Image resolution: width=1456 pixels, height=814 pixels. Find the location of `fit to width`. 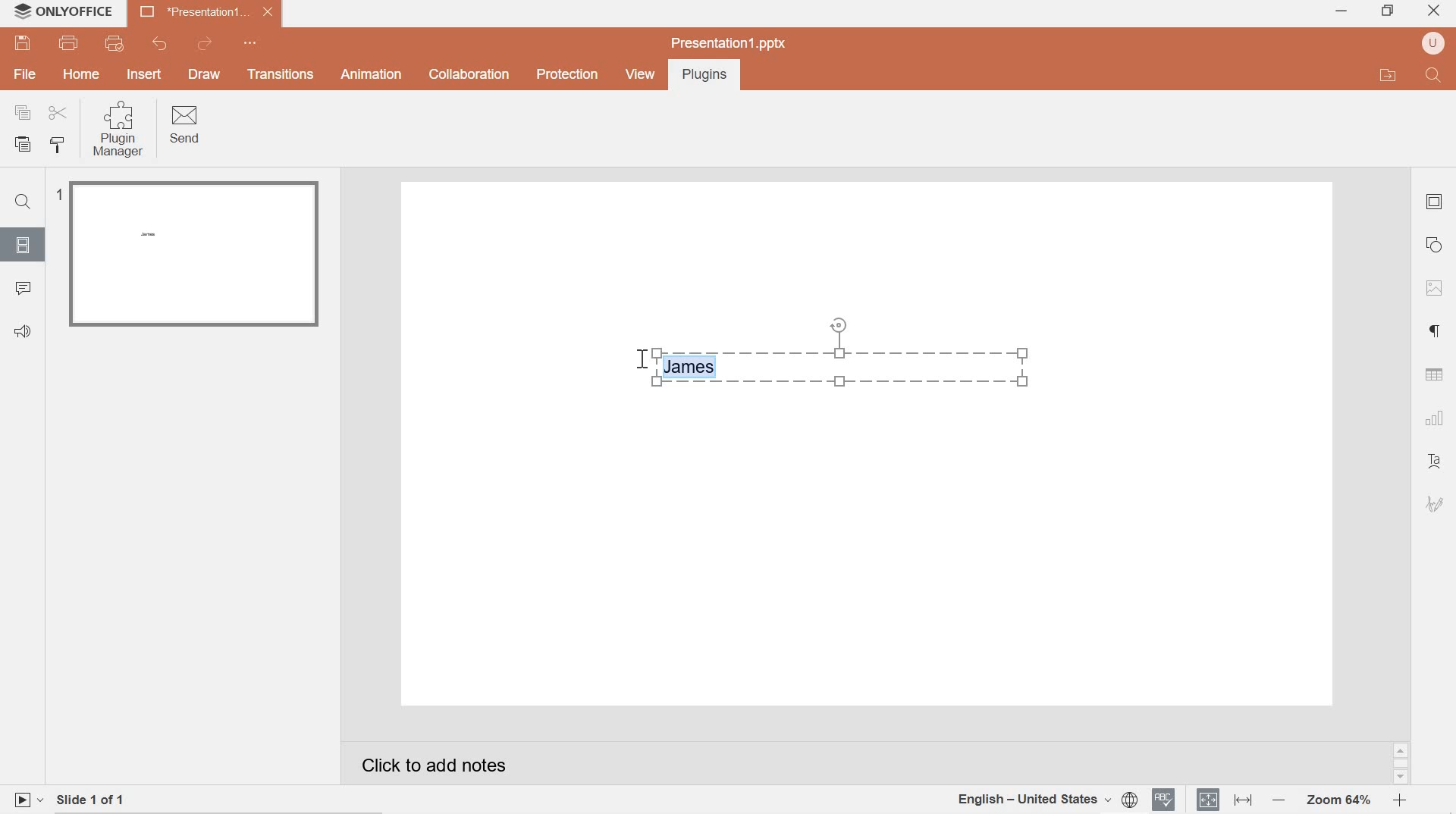

fit to width is located at coordinates (1241, 800).